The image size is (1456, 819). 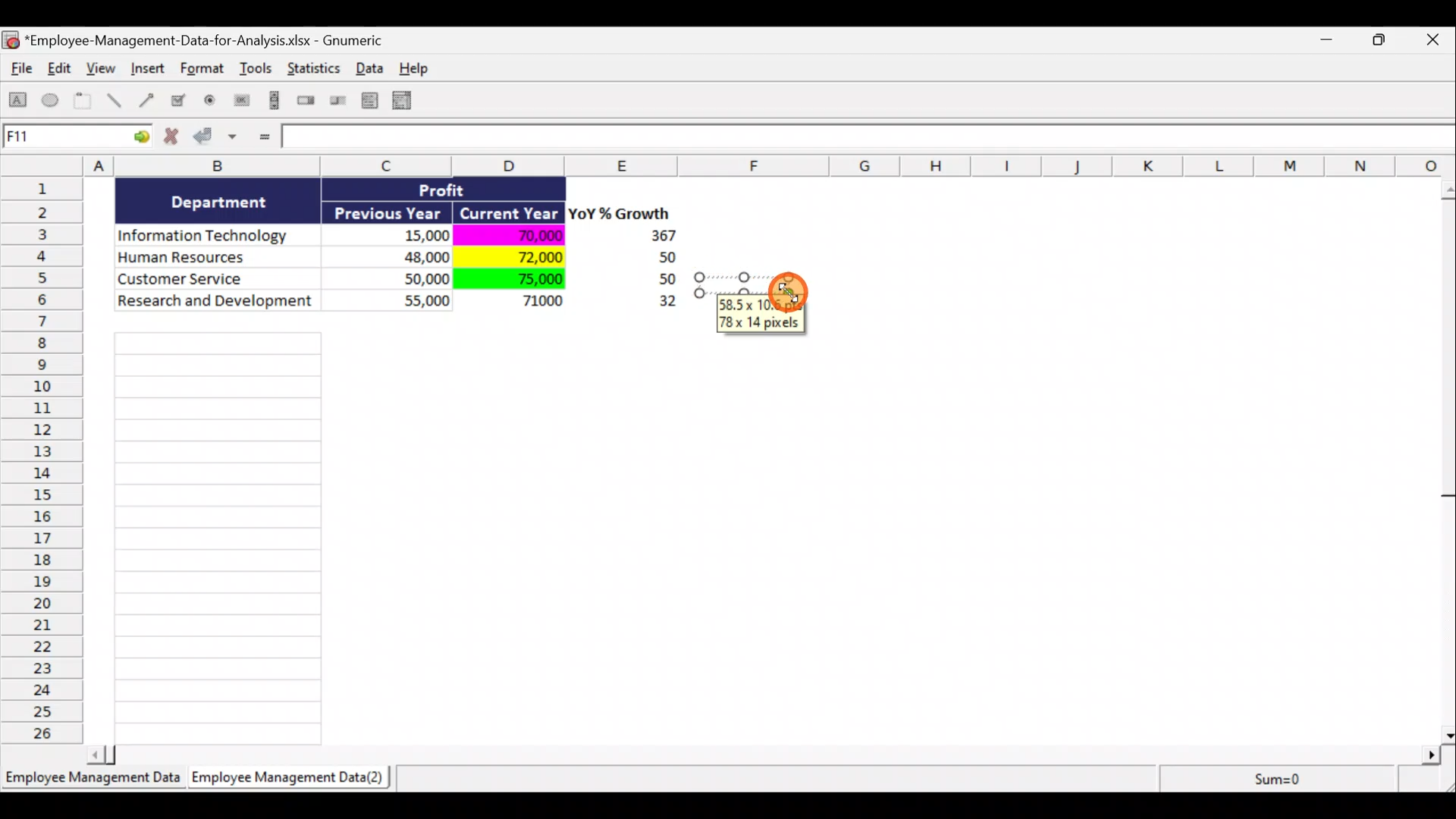 I want to click on Tools, so click(x=258, y=71).